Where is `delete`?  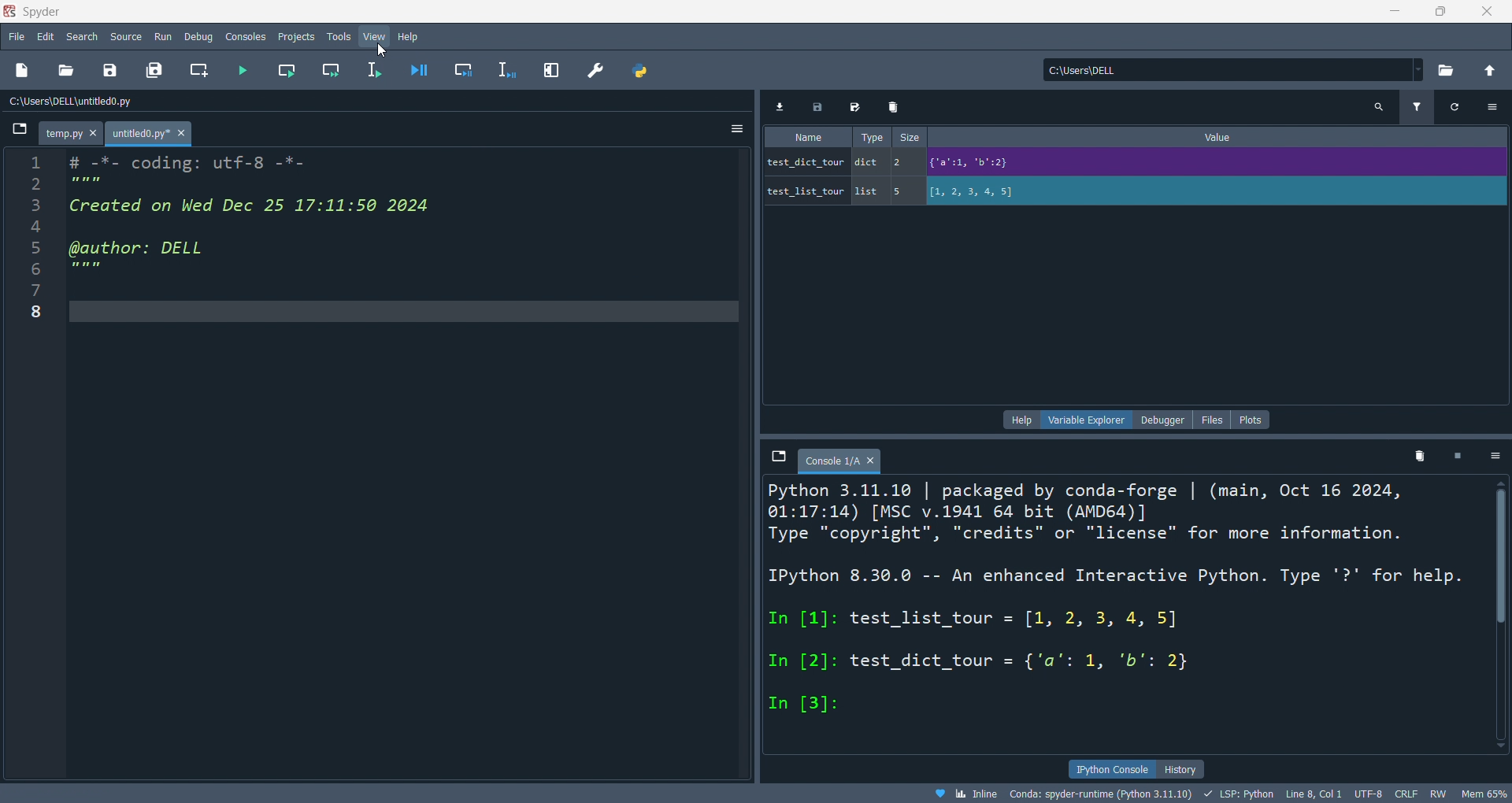 delete is located at coordinates (891, 105).